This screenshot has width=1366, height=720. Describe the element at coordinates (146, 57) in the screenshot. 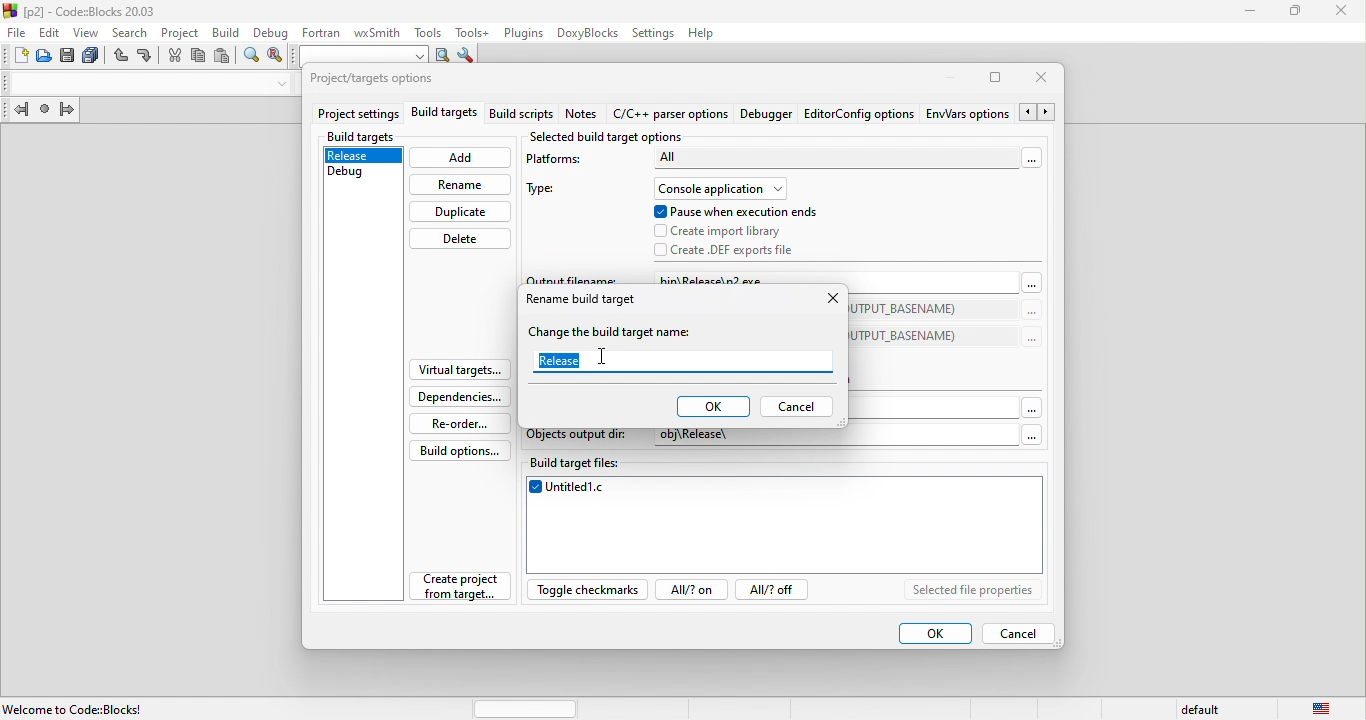

I see `redo` at that location.